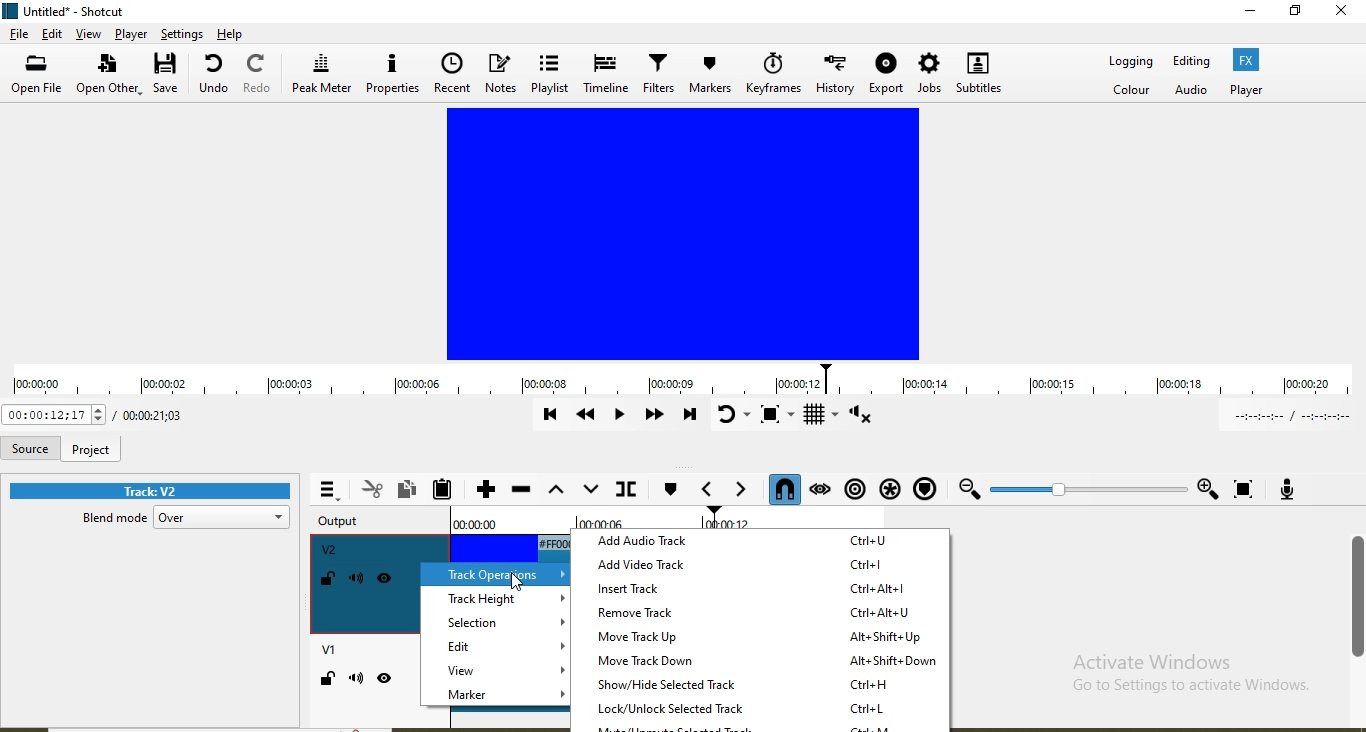  I want to click on Toggle play or pause, so click(616, 413).